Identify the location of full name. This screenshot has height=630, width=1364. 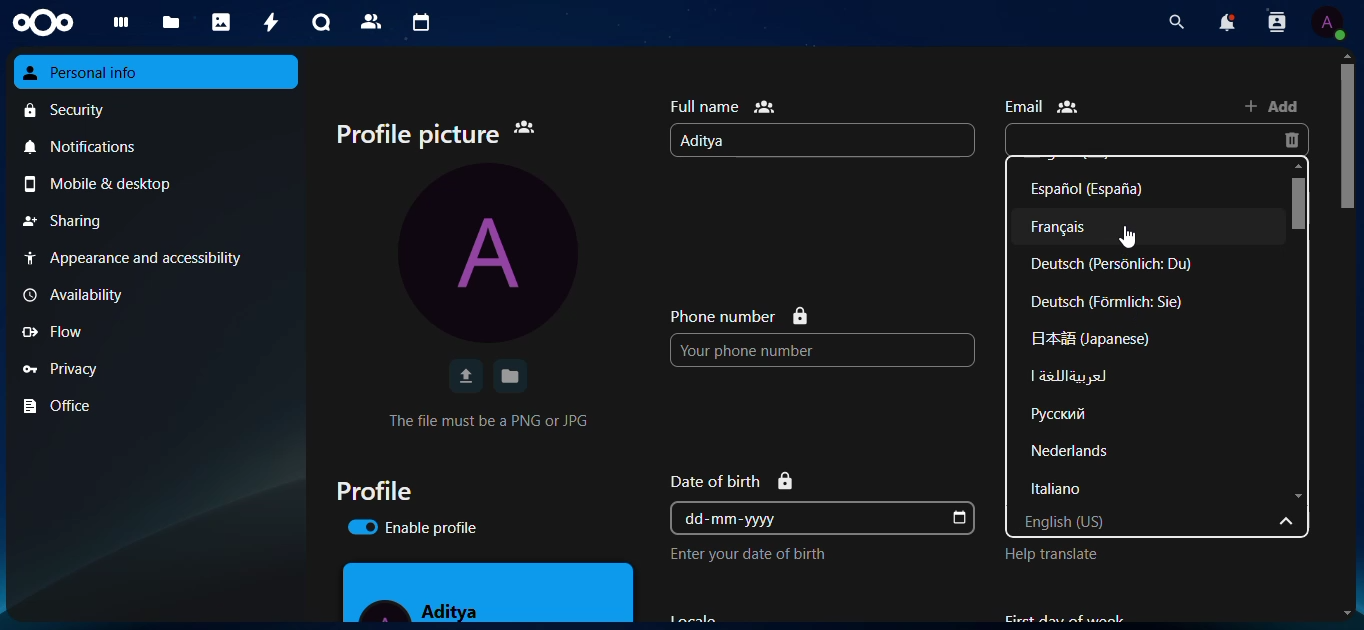
(726, 104).